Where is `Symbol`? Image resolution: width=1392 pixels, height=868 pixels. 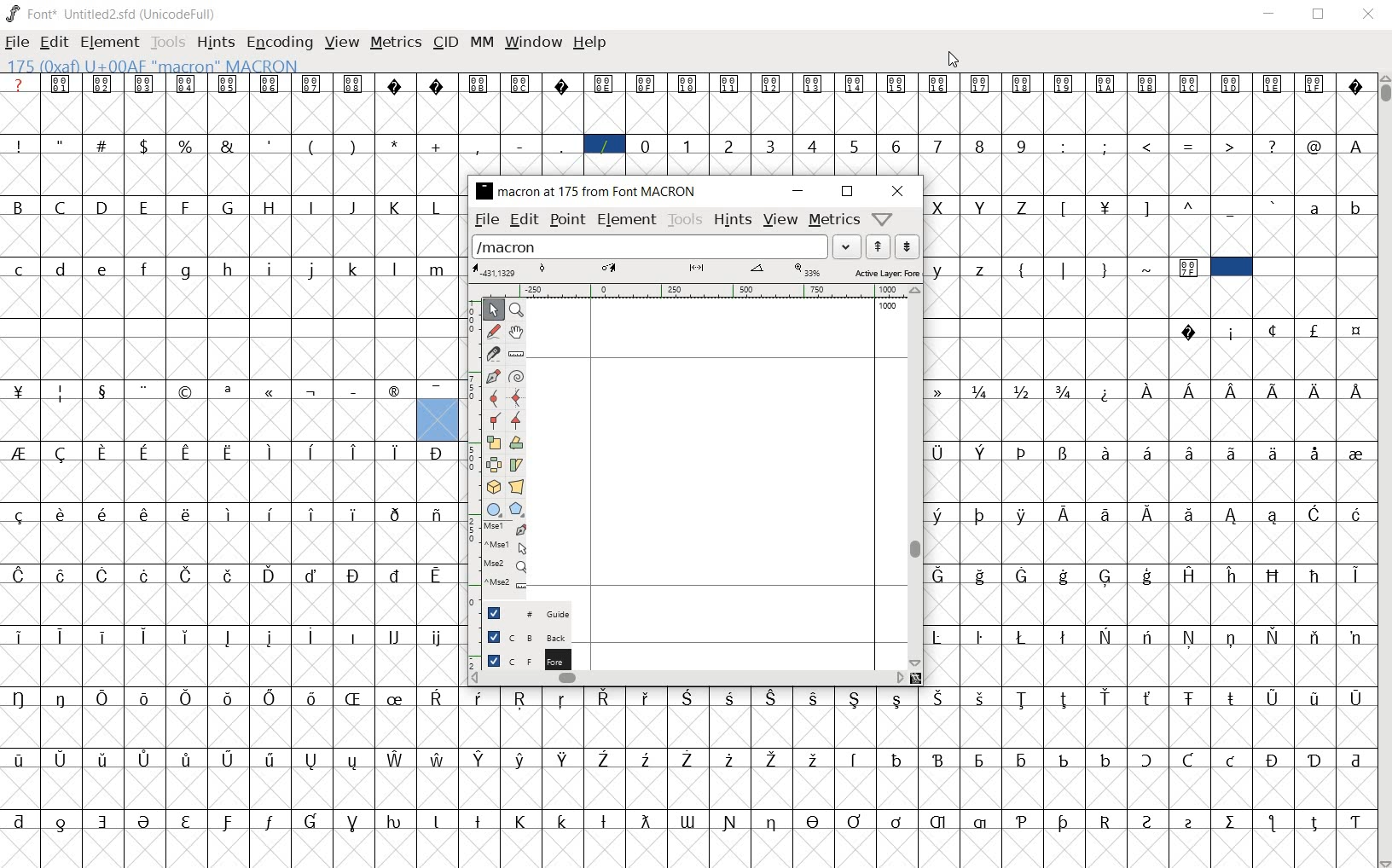
Symbol is located at coordinates (1315, 389).